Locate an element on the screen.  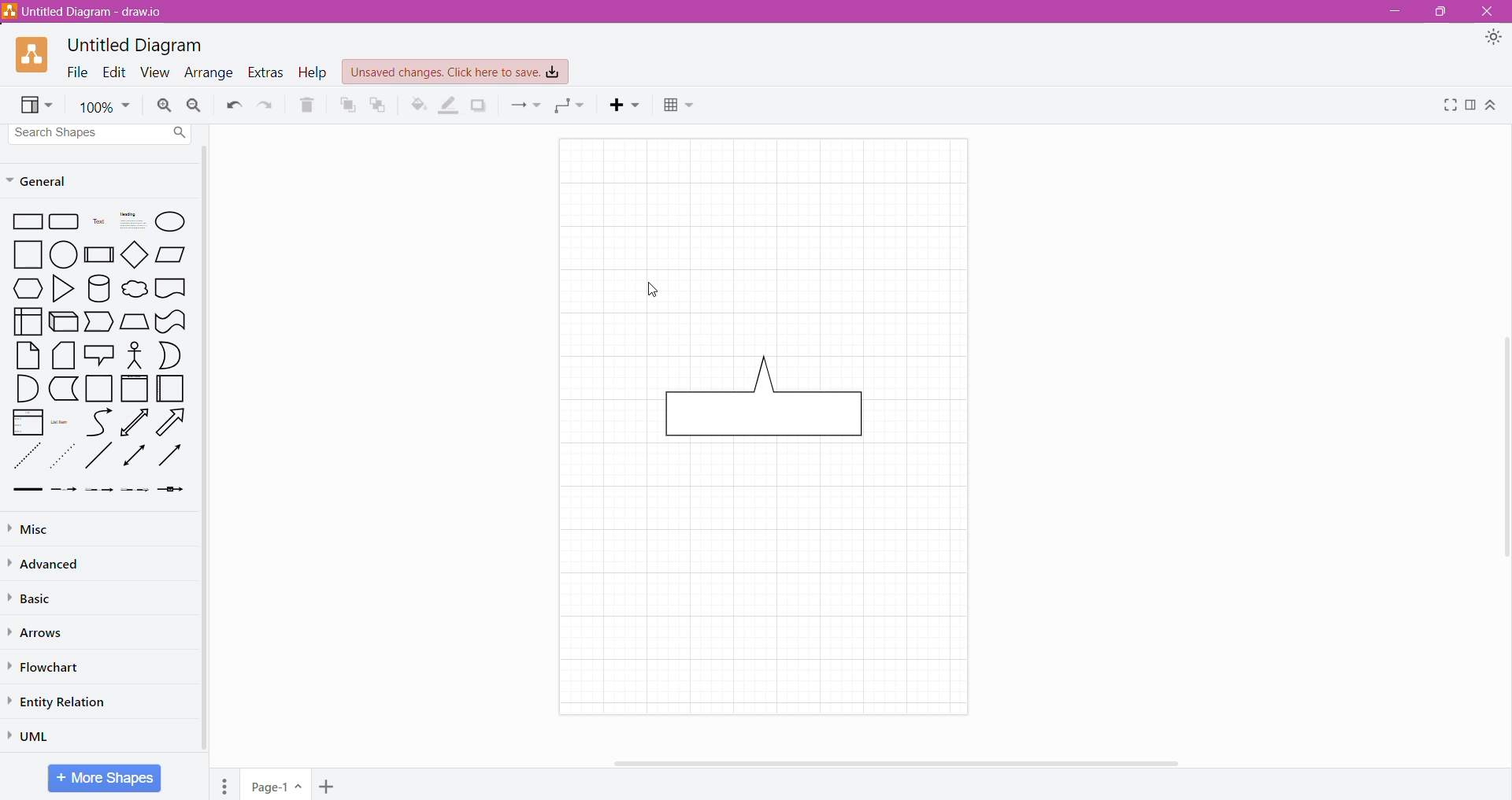
Line Color is located at coordinates (449, 105).